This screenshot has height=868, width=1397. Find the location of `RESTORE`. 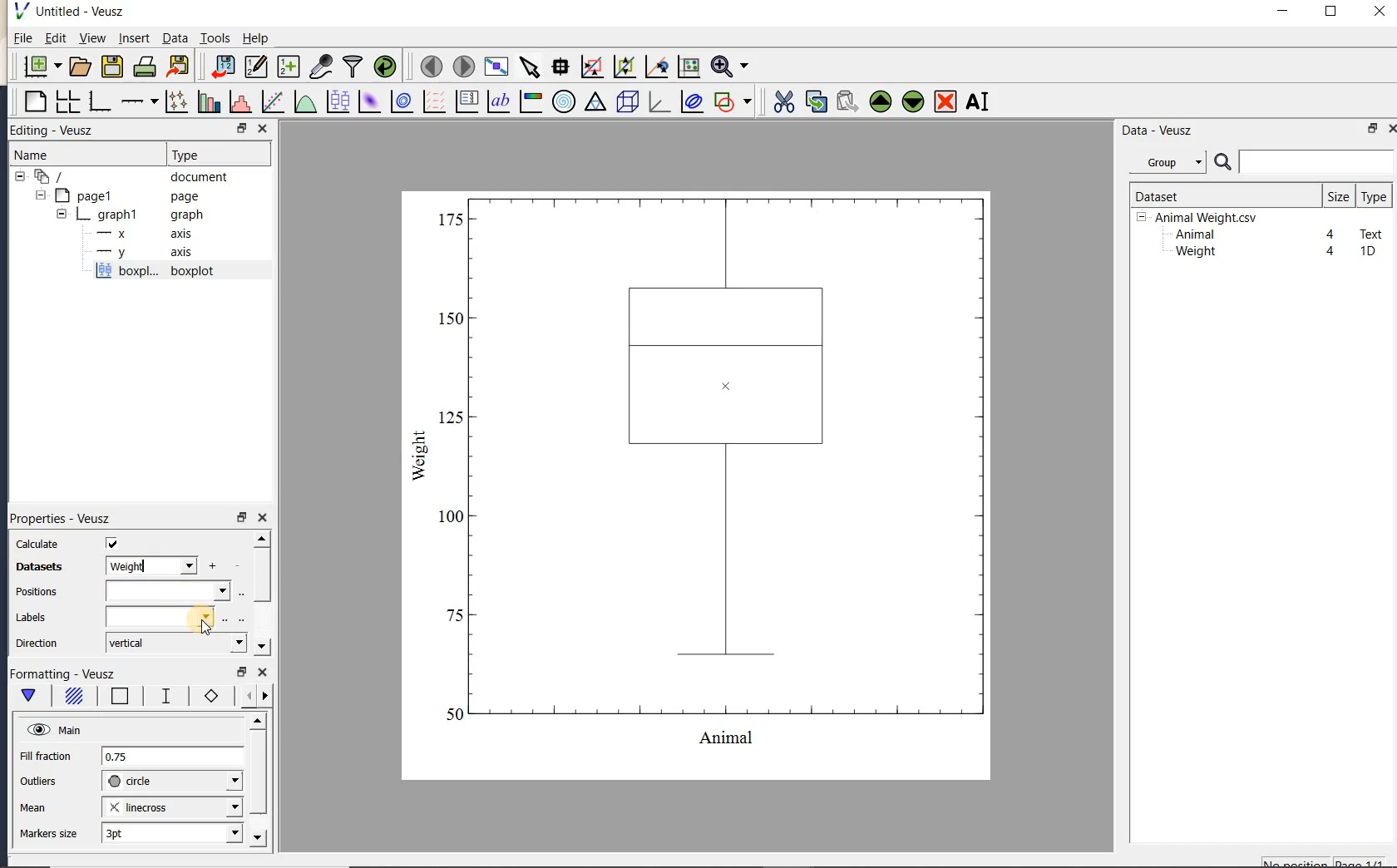

RESTORE is located at coordinates (239, 126).